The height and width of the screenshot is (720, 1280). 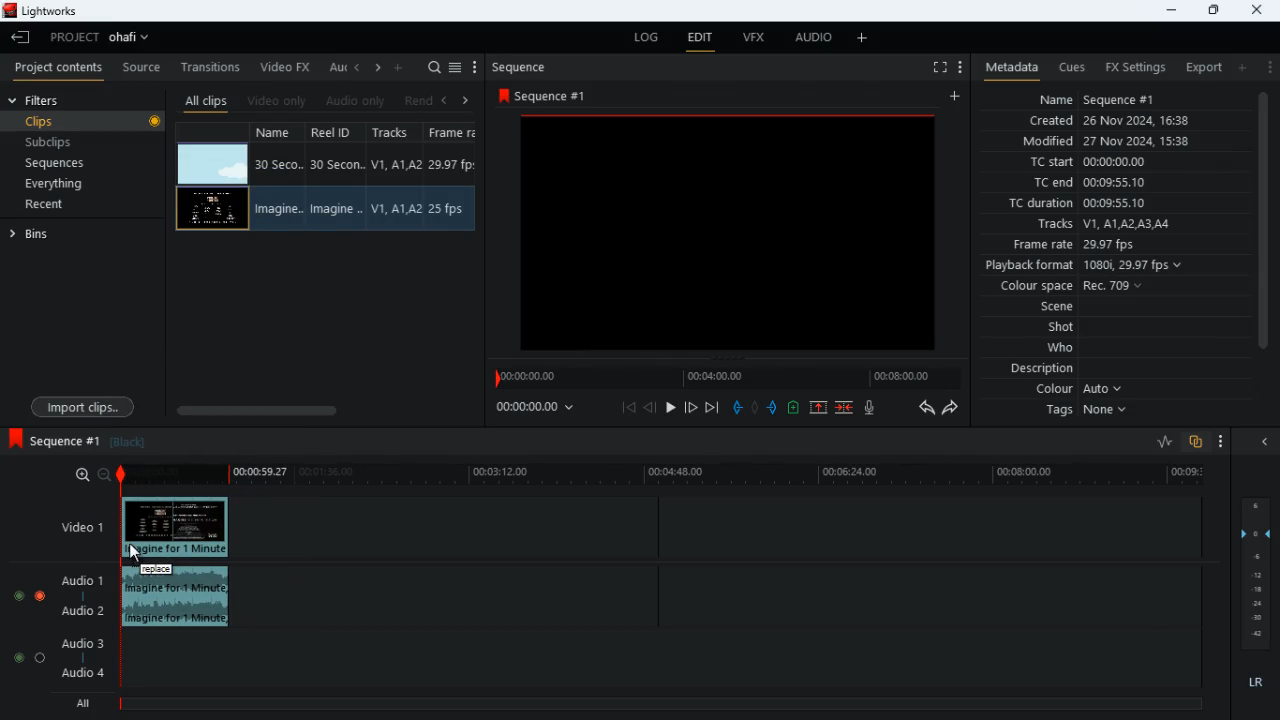 I want to click on tracks, so click(x=396, y=177).